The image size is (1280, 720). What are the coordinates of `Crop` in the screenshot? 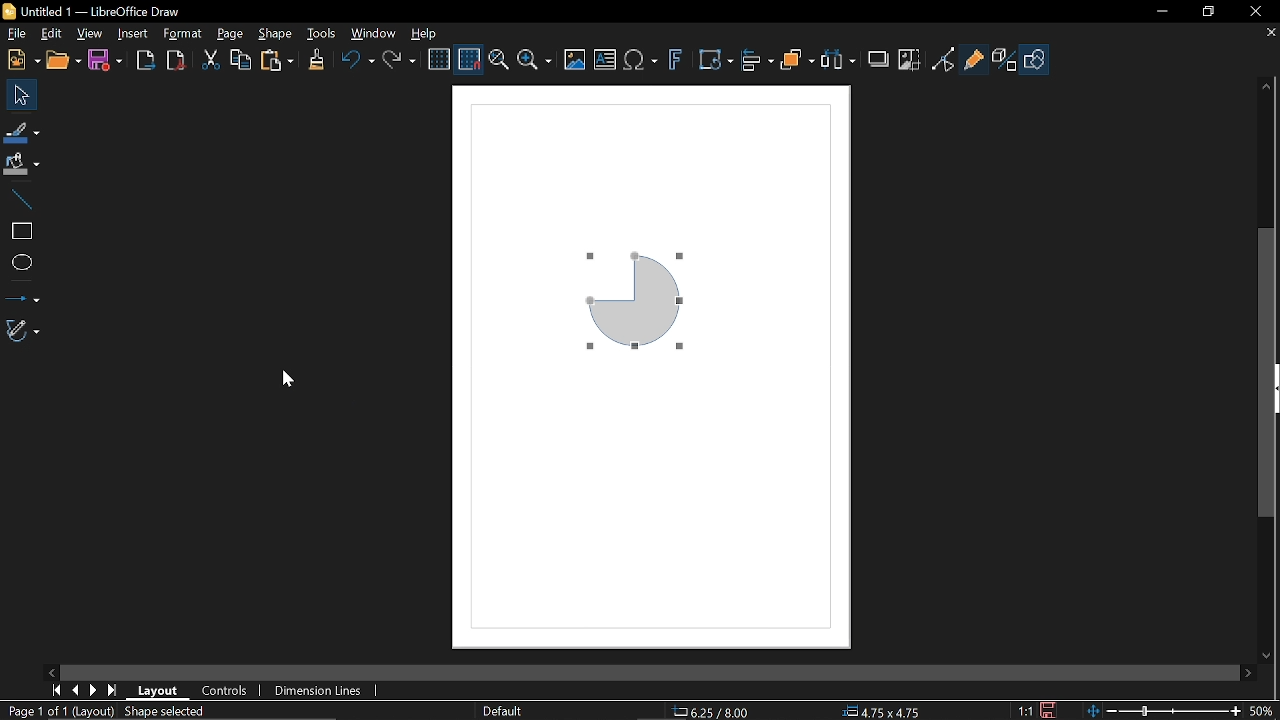 It's located at (909, 60).